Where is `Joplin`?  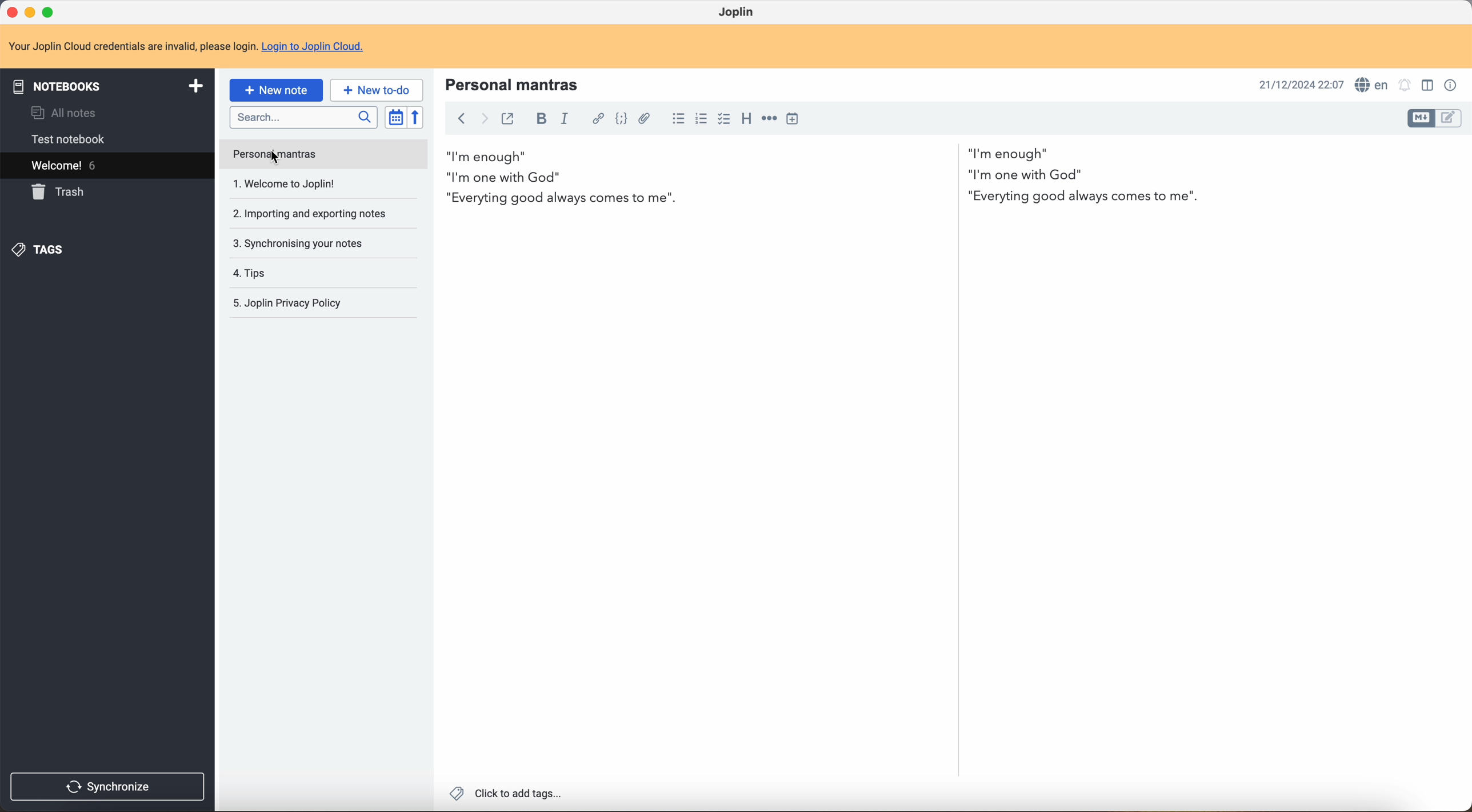 Joplin is located at coordinates (739, 11).